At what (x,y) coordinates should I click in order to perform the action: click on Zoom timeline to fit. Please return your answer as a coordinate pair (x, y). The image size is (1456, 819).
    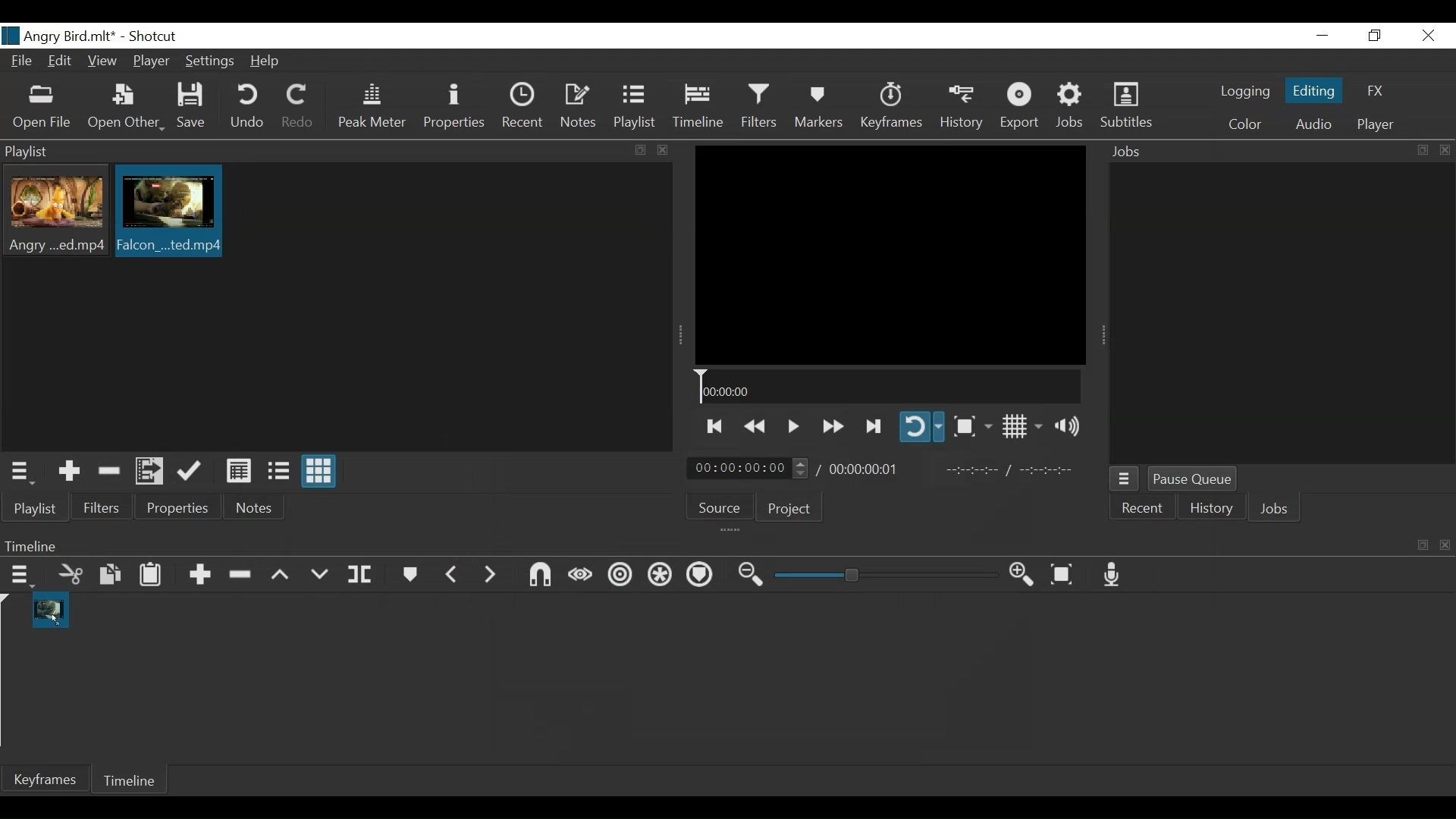
    Looking at the image, I should click on (1068, 573).